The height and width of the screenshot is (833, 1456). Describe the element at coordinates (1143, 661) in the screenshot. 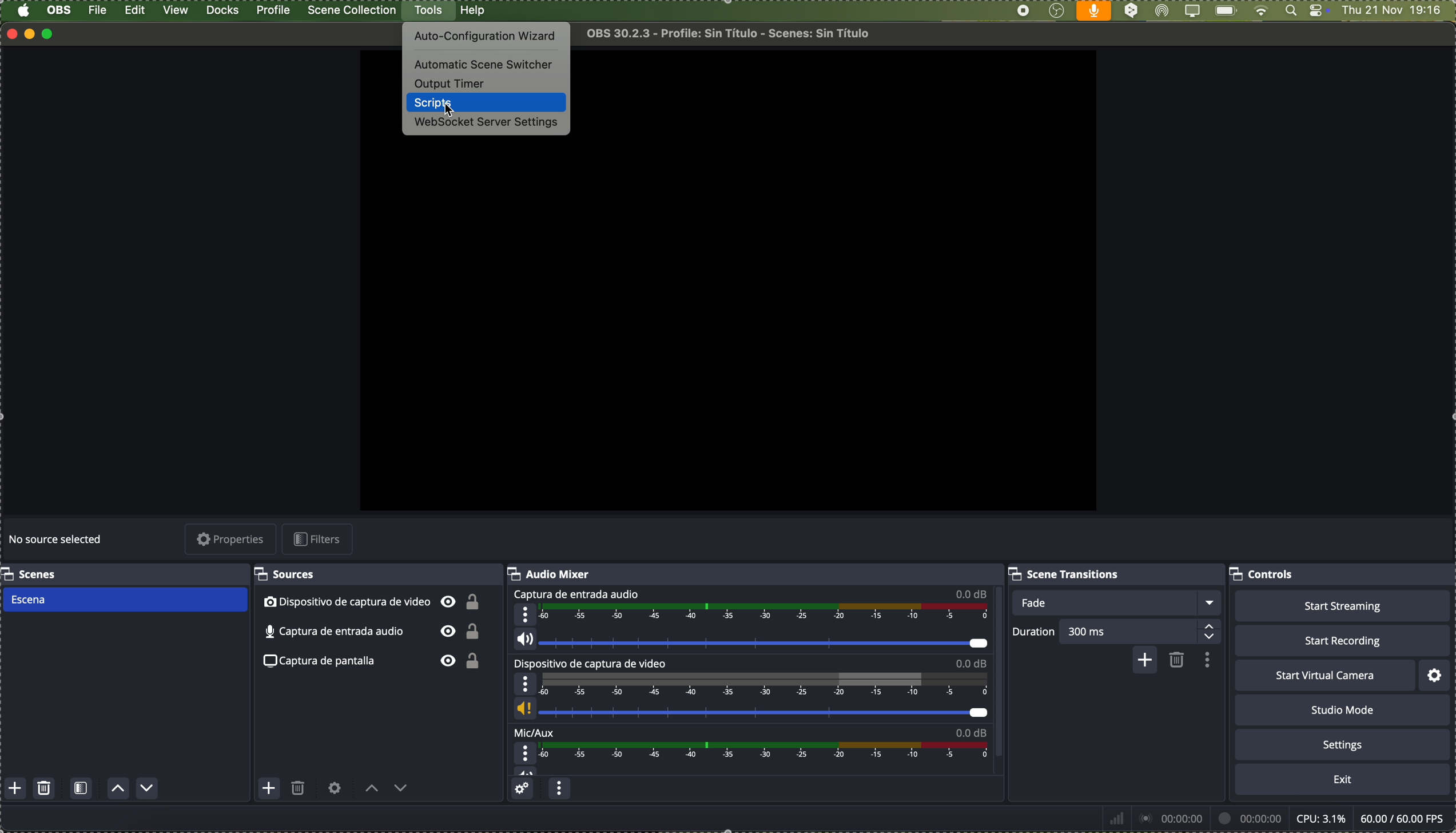

I see `add configurable transition` at that location.